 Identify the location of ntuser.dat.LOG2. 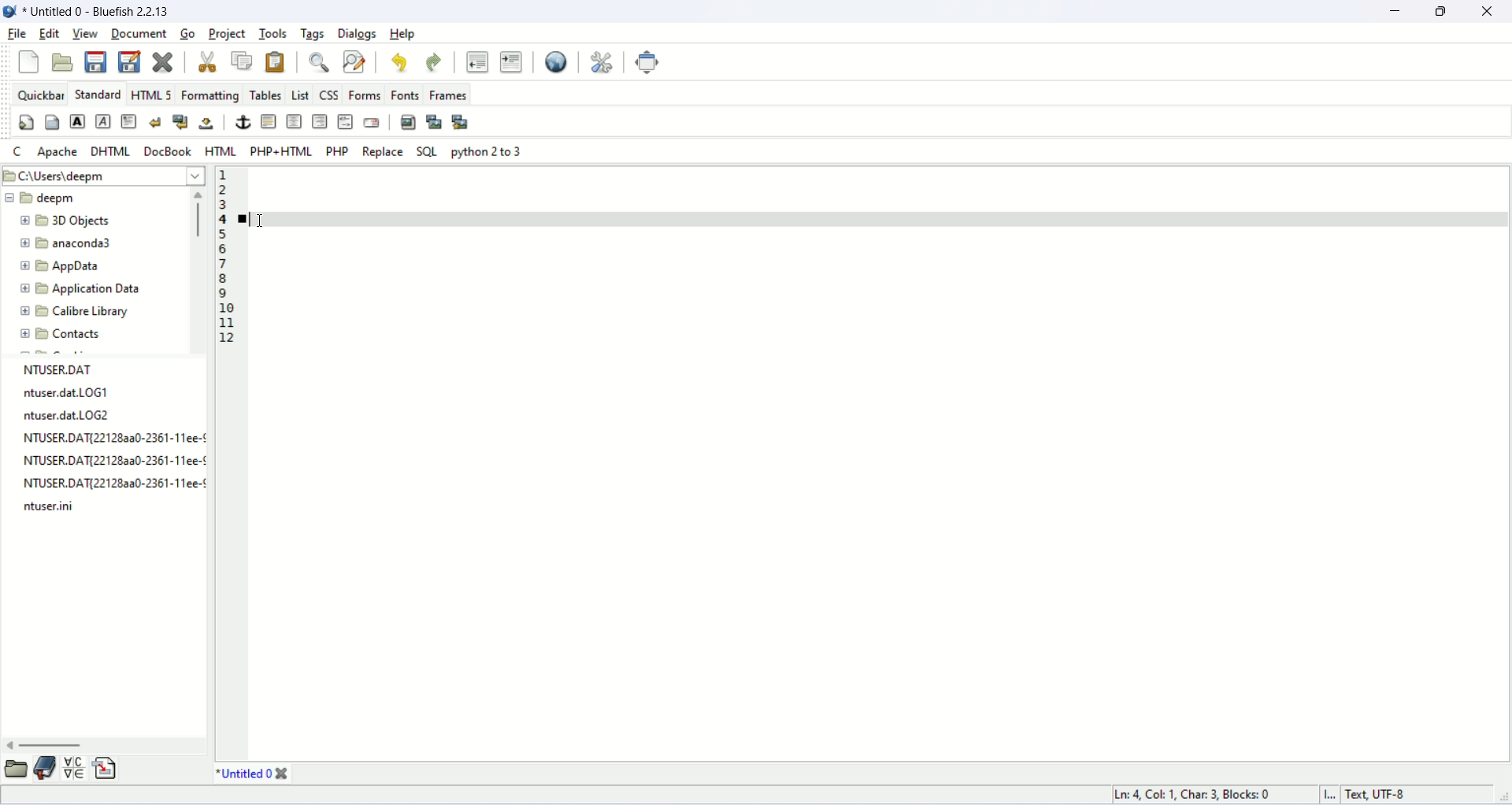
(69, 415).